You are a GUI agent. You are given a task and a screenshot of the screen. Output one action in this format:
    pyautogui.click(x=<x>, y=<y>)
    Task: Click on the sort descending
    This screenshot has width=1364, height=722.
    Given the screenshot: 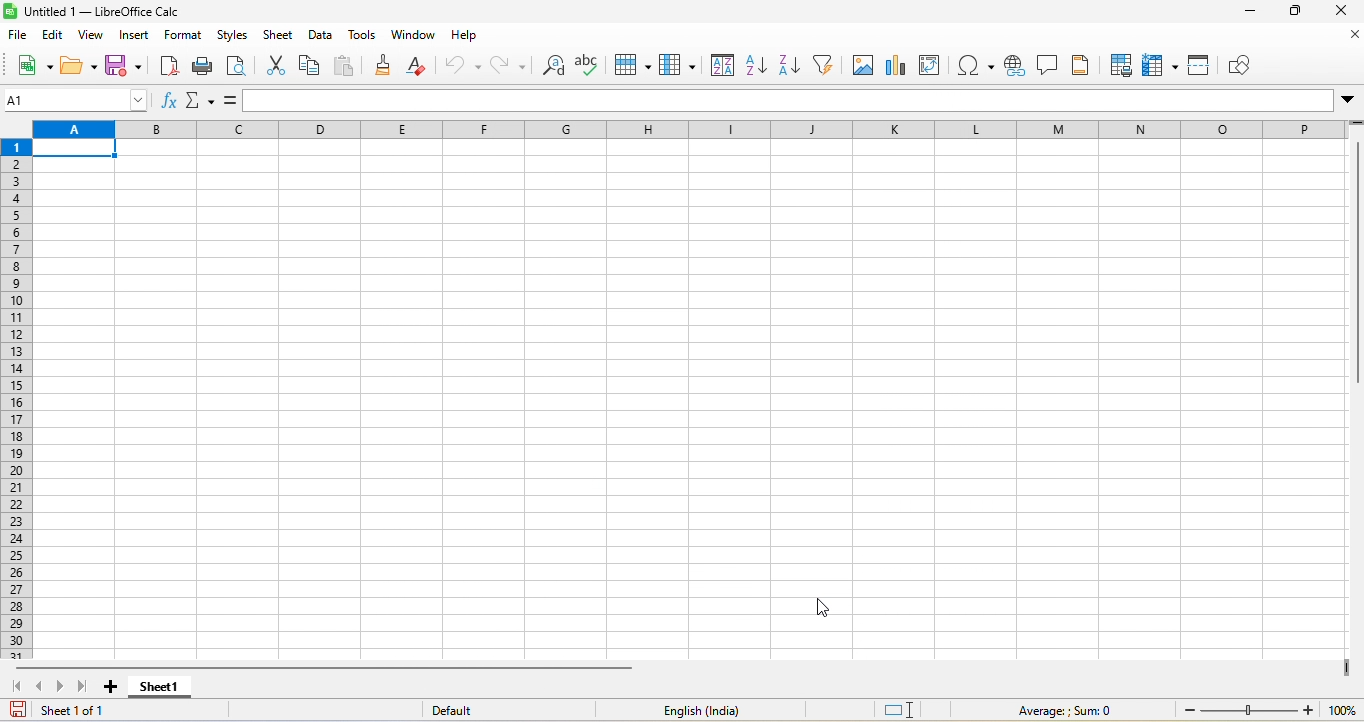 What is the action you would take?
    pyautogui.click(x=791, y=66)
    